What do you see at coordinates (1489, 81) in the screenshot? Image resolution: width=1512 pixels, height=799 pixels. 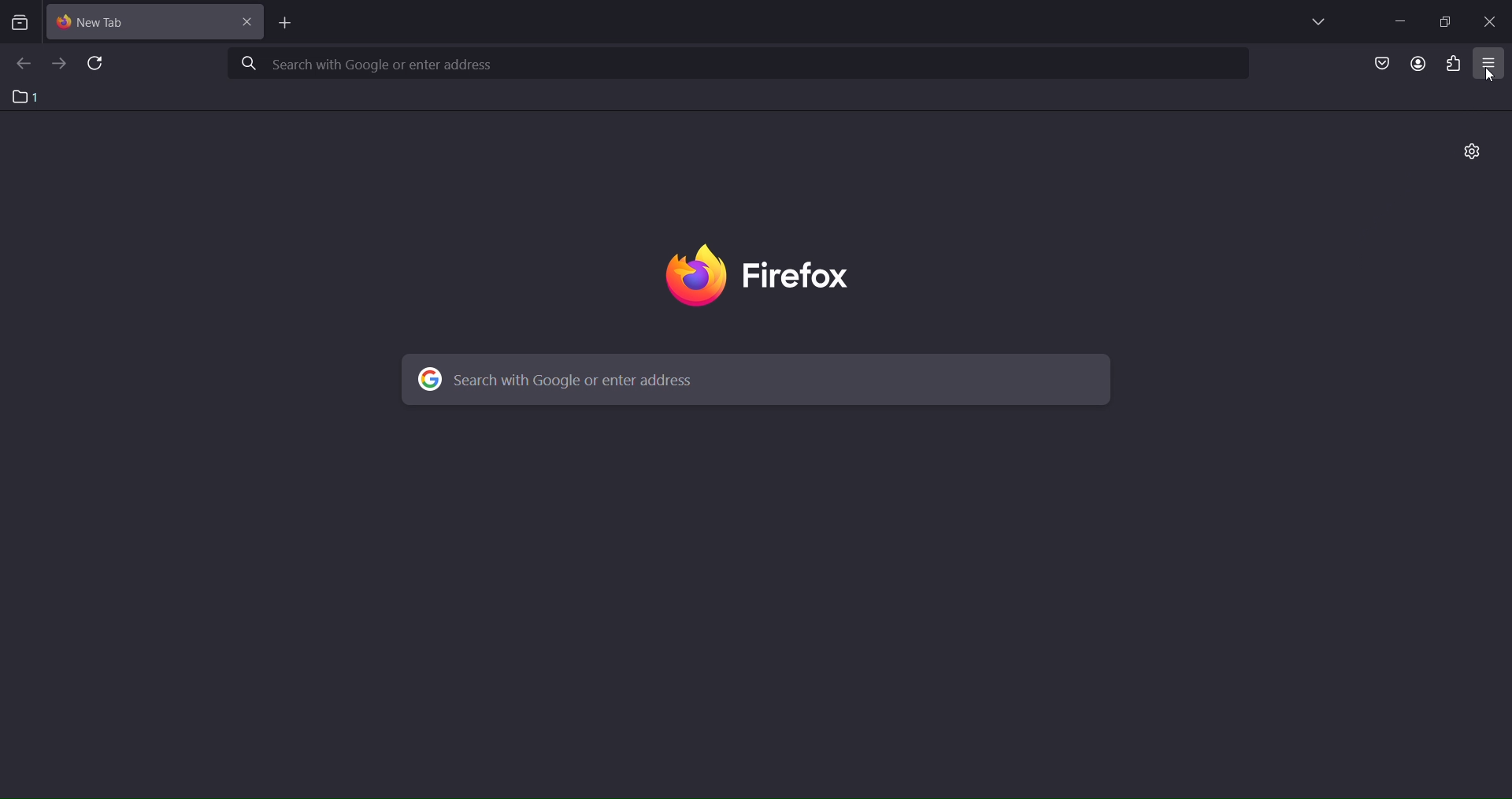 I see `cursor` at bounding box center [1489, 81].